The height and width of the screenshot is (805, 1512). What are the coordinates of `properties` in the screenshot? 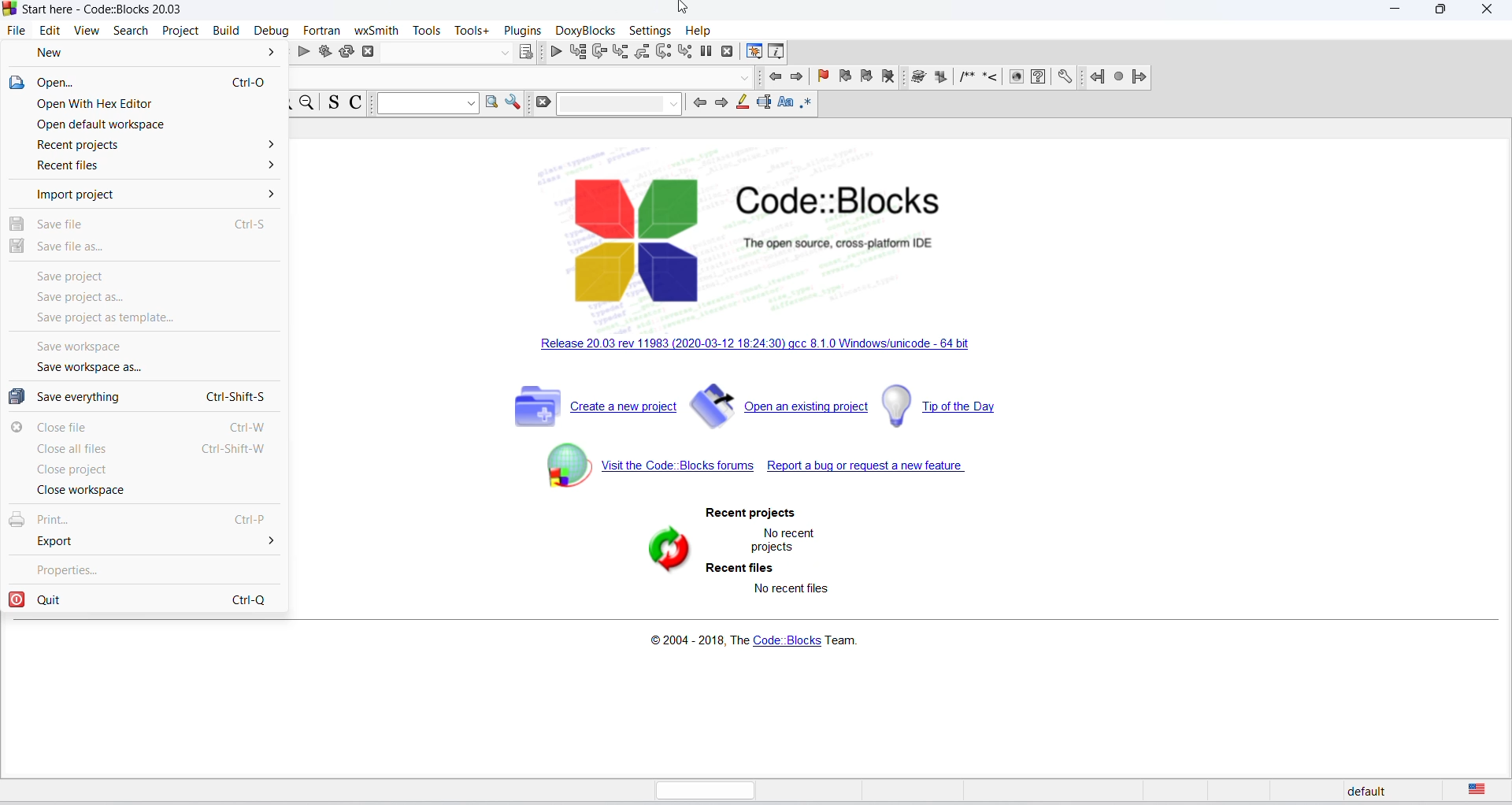 It's located at (154, 571).